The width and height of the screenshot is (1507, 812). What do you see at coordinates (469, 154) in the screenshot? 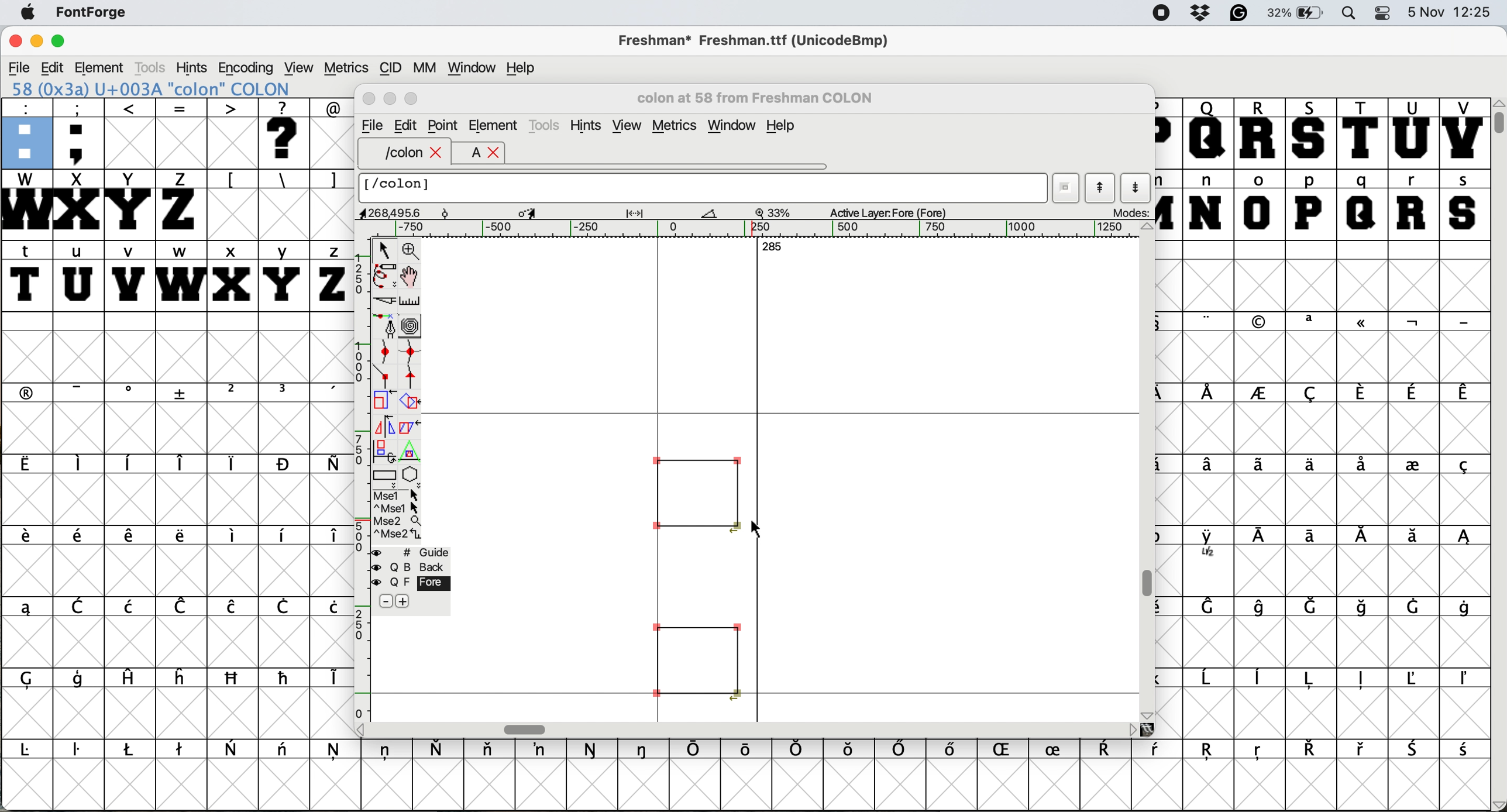
I see `a` at bounding box center [469, 154].